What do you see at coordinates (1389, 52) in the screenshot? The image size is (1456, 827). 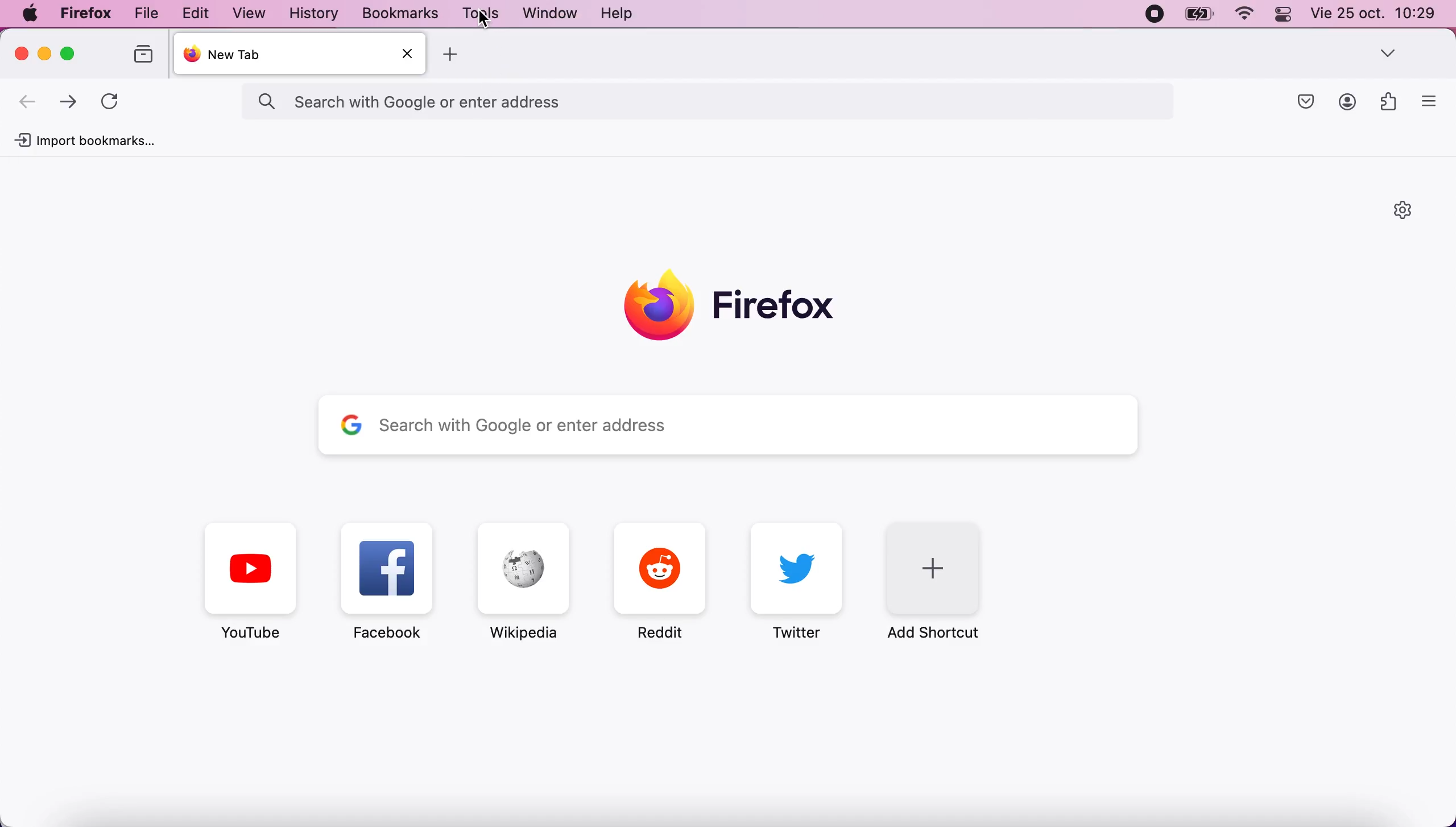 I see `Dropdown box` at bounding box center [1389, 52].